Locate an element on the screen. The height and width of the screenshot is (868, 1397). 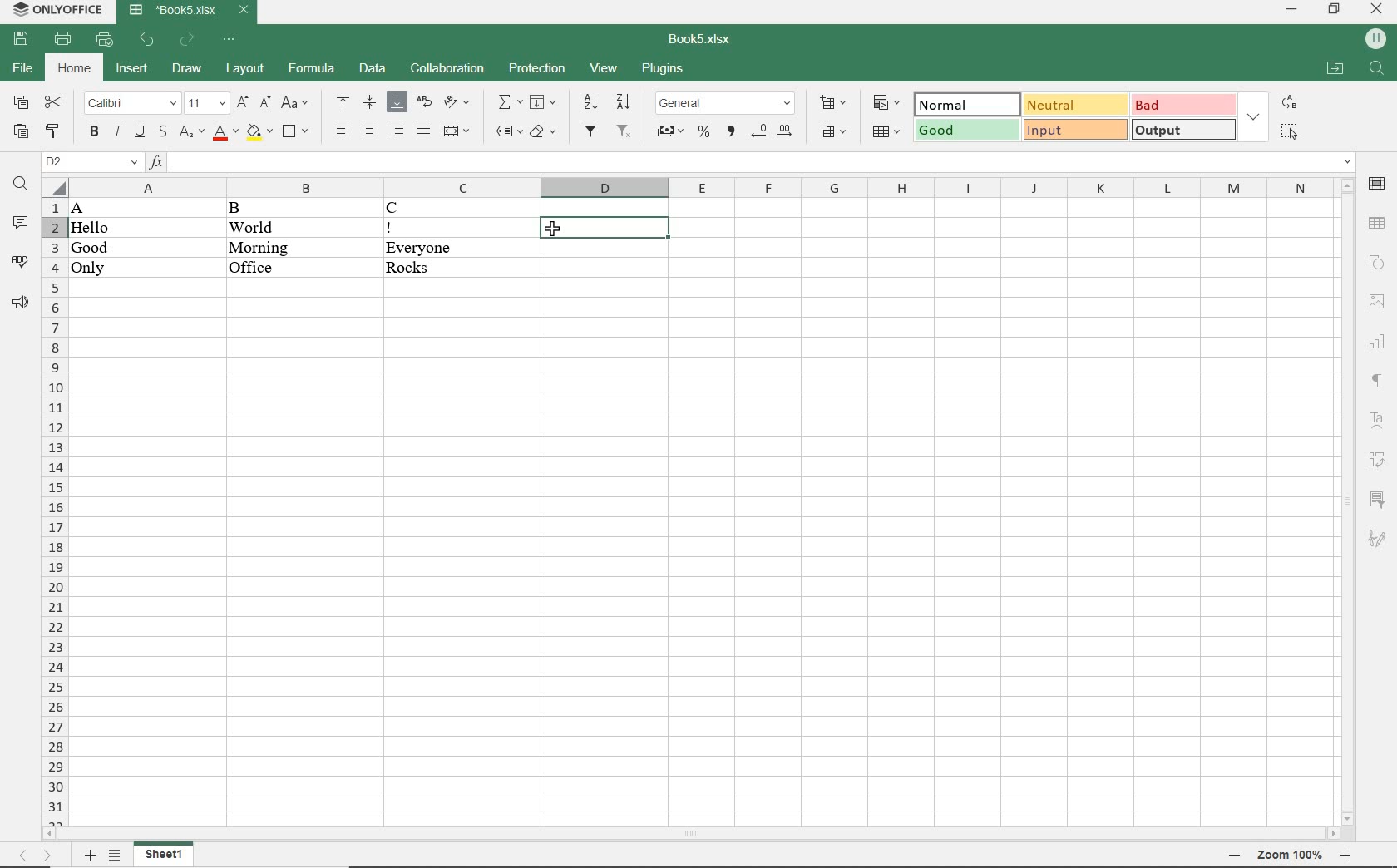
change decimal is located at coordinates (774, 131).